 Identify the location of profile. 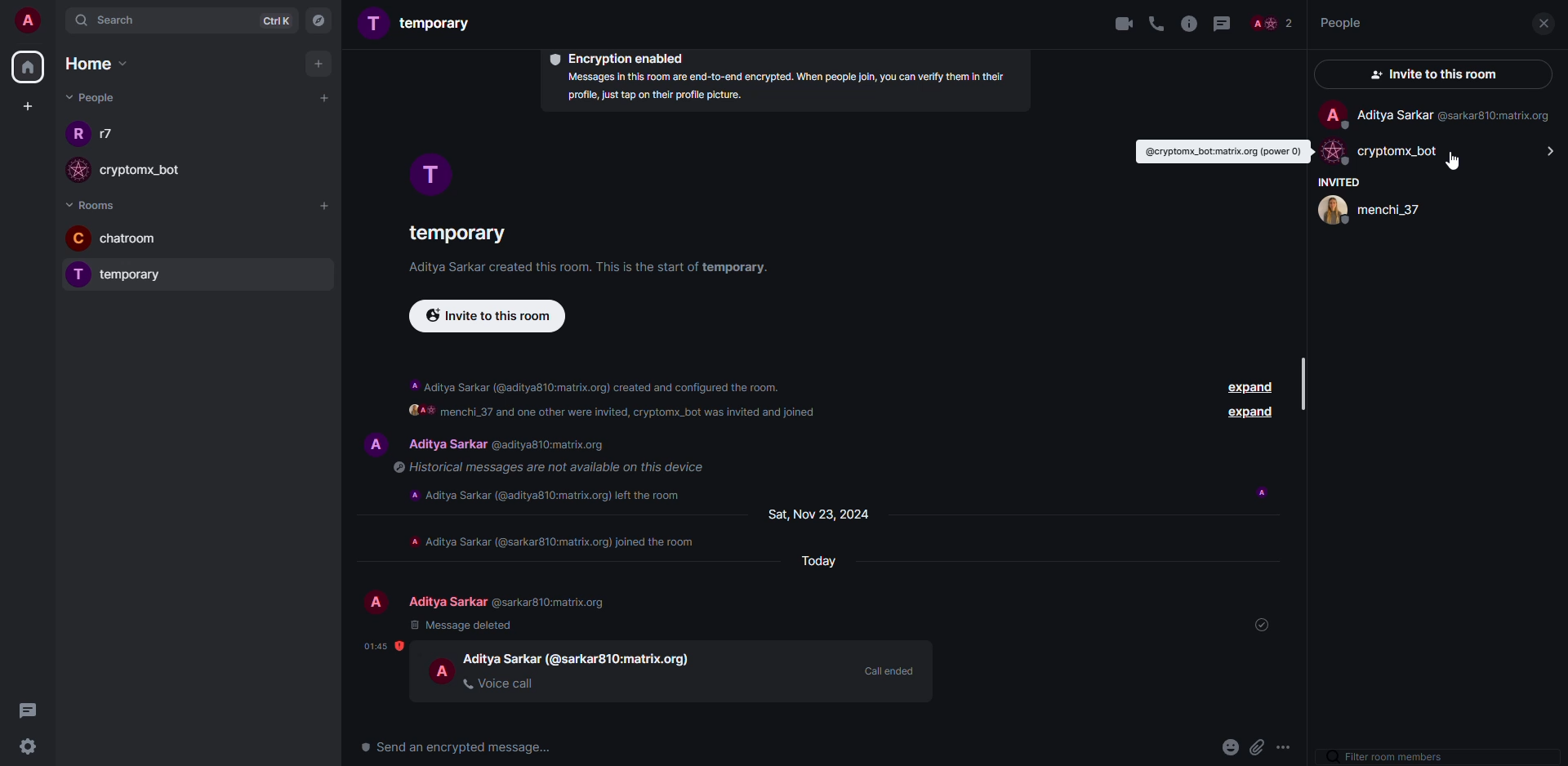
(443, 670).